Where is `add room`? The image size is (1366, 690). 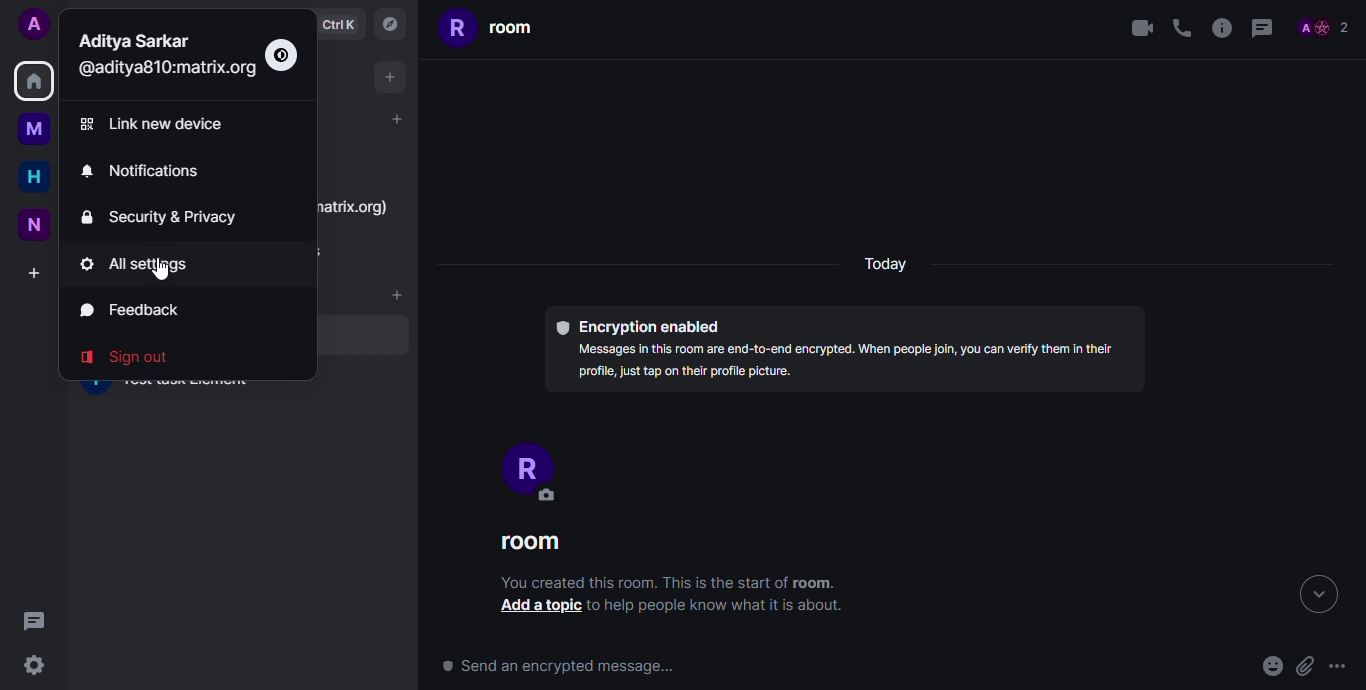
add room is located at coordinates (397, 294).